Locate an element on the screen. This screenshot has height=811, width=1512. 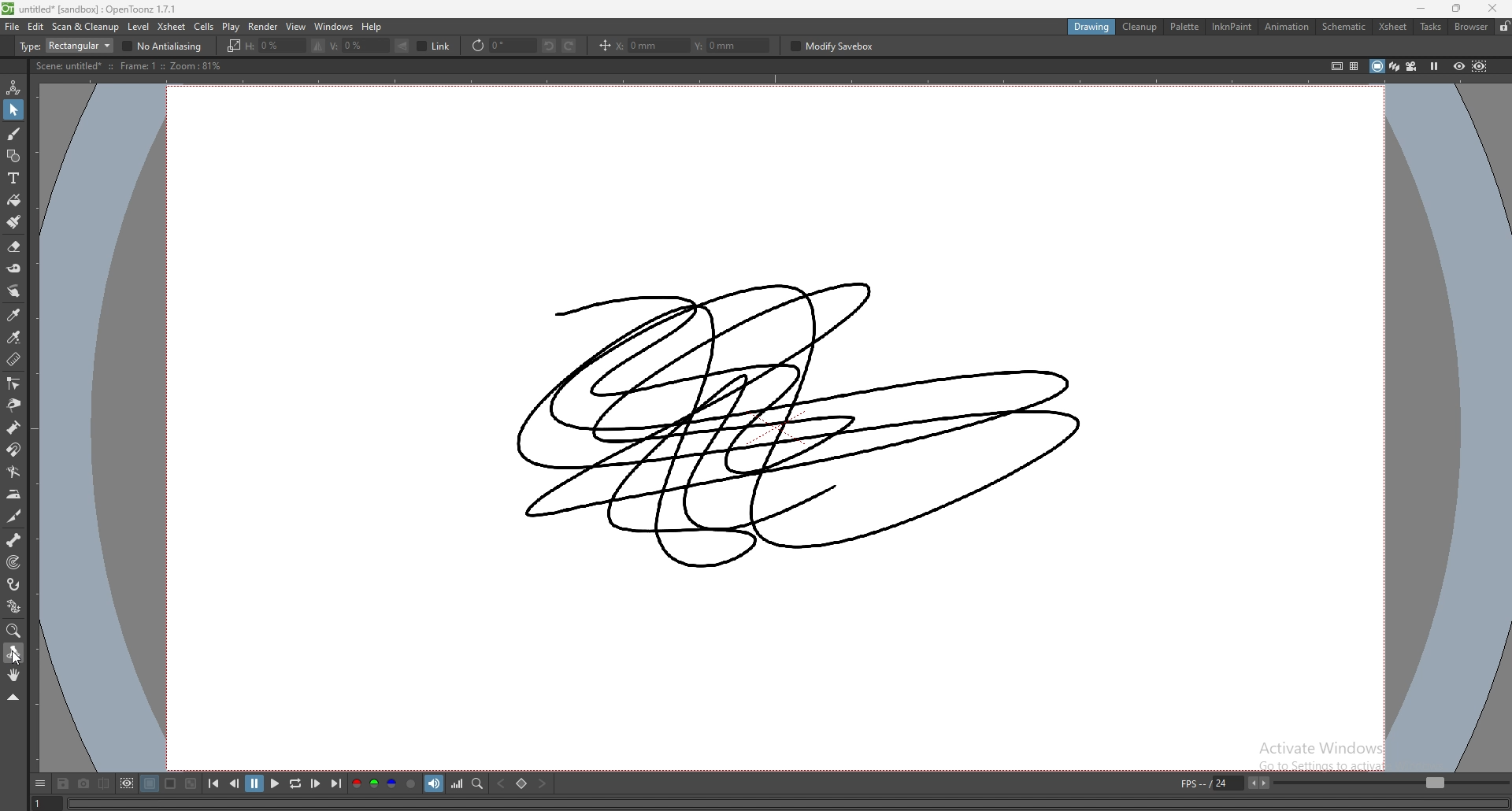
hand is located at coordinates (13, 675).